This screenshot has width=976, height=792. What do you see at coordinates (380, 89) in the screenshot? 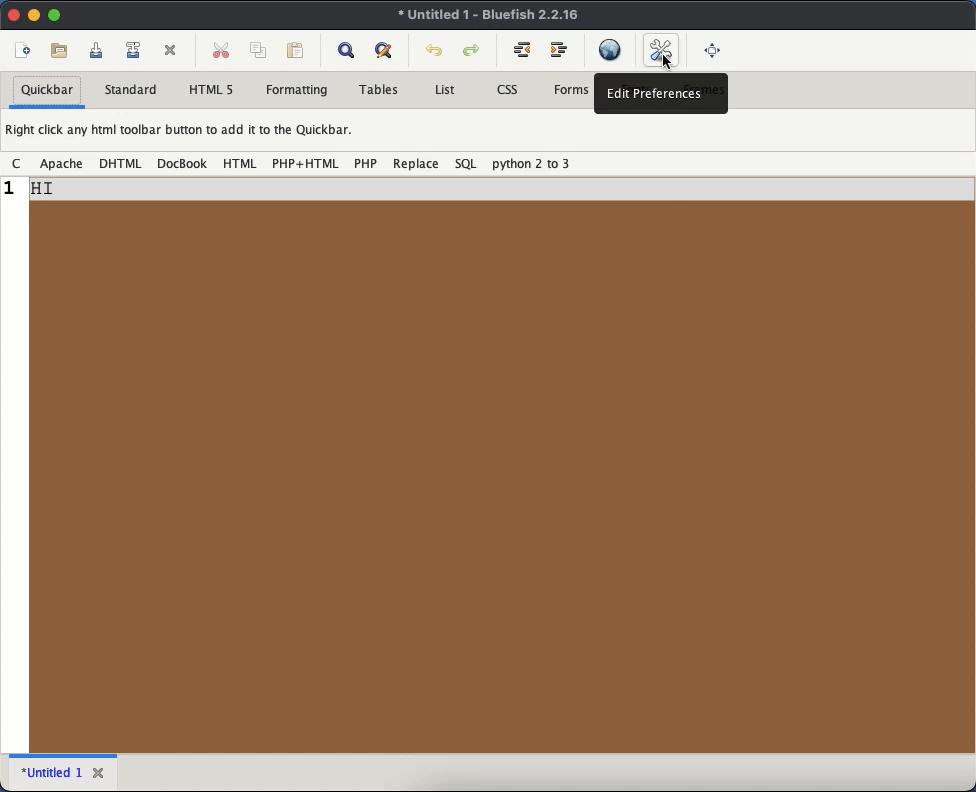
I see `tables` at bounding box center [380, 89].